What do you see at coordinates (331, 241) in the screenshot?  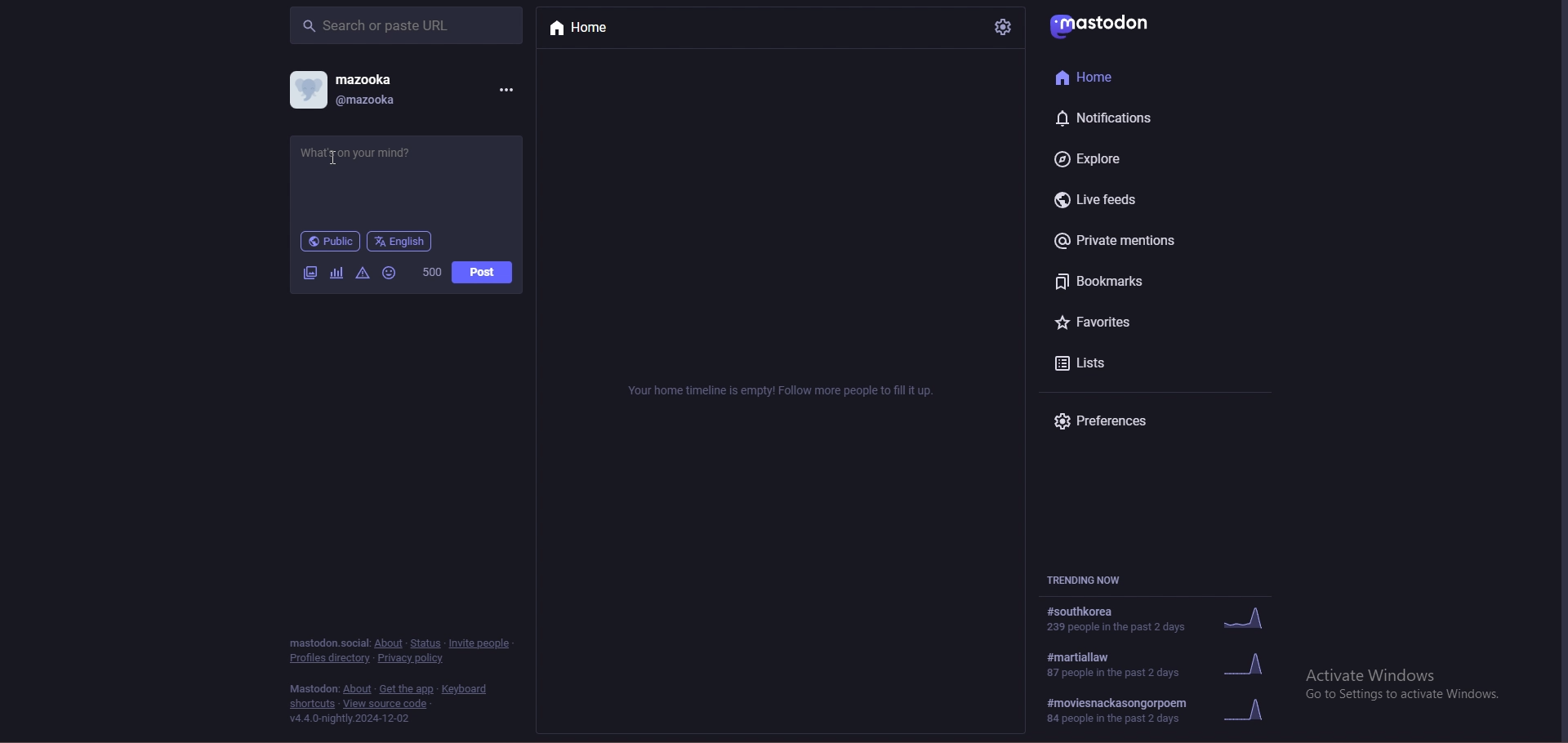 I see `public` at bounding box center [331, 241].